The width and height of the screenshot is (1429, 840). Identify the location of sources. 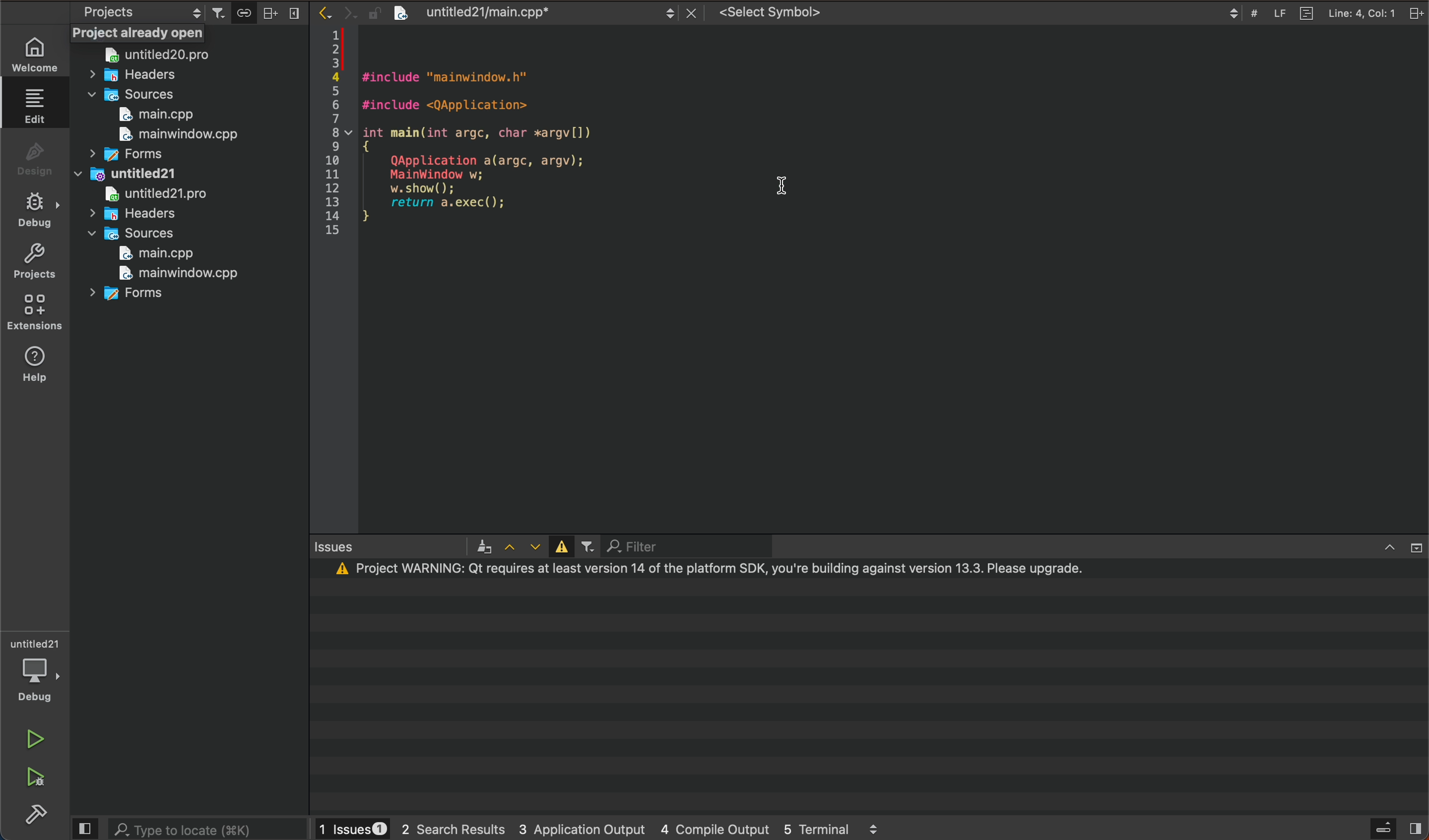
(129, 95).